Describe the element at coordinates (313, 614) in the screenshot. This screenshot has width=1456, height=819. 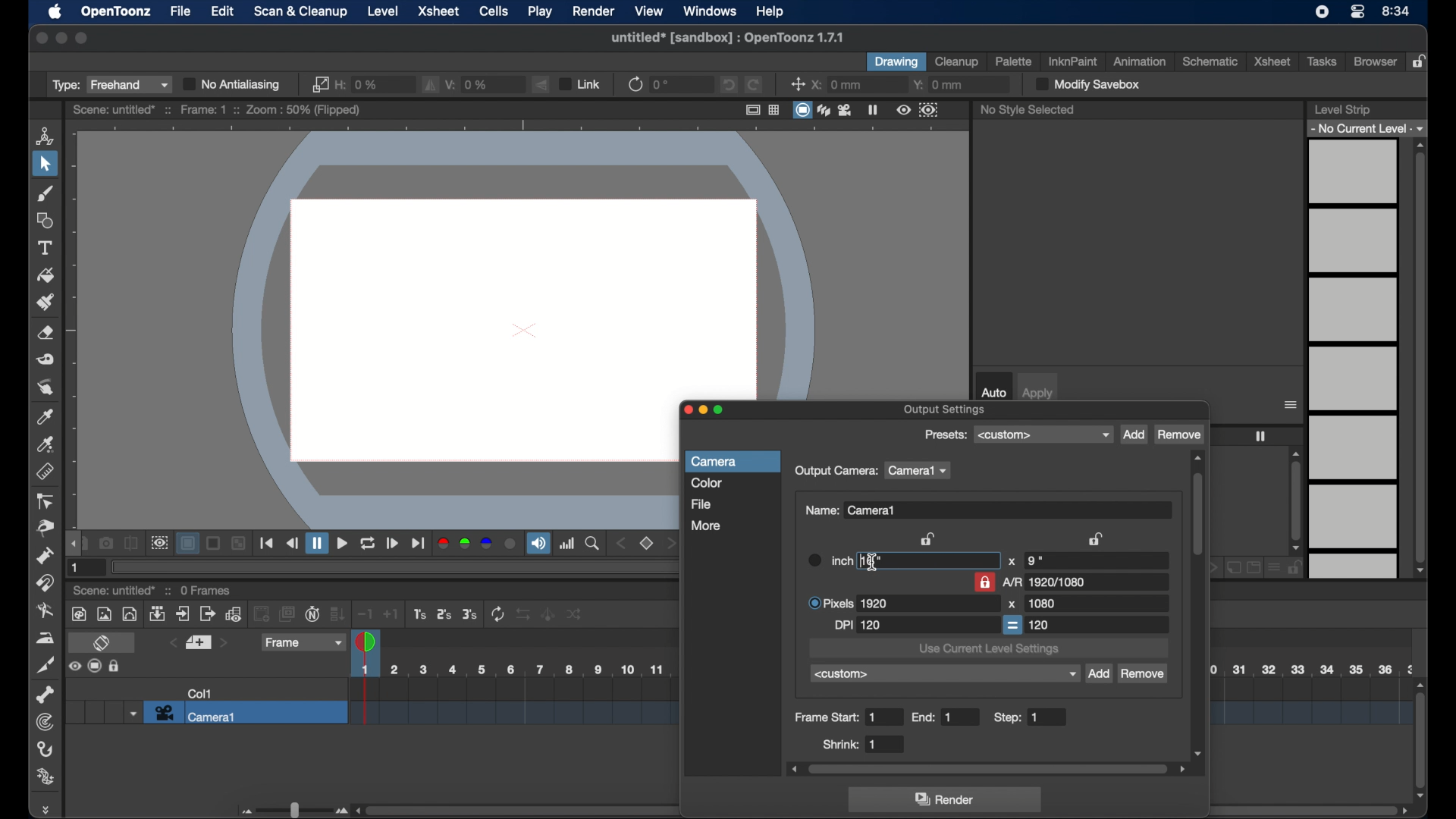
I see `` at that location.